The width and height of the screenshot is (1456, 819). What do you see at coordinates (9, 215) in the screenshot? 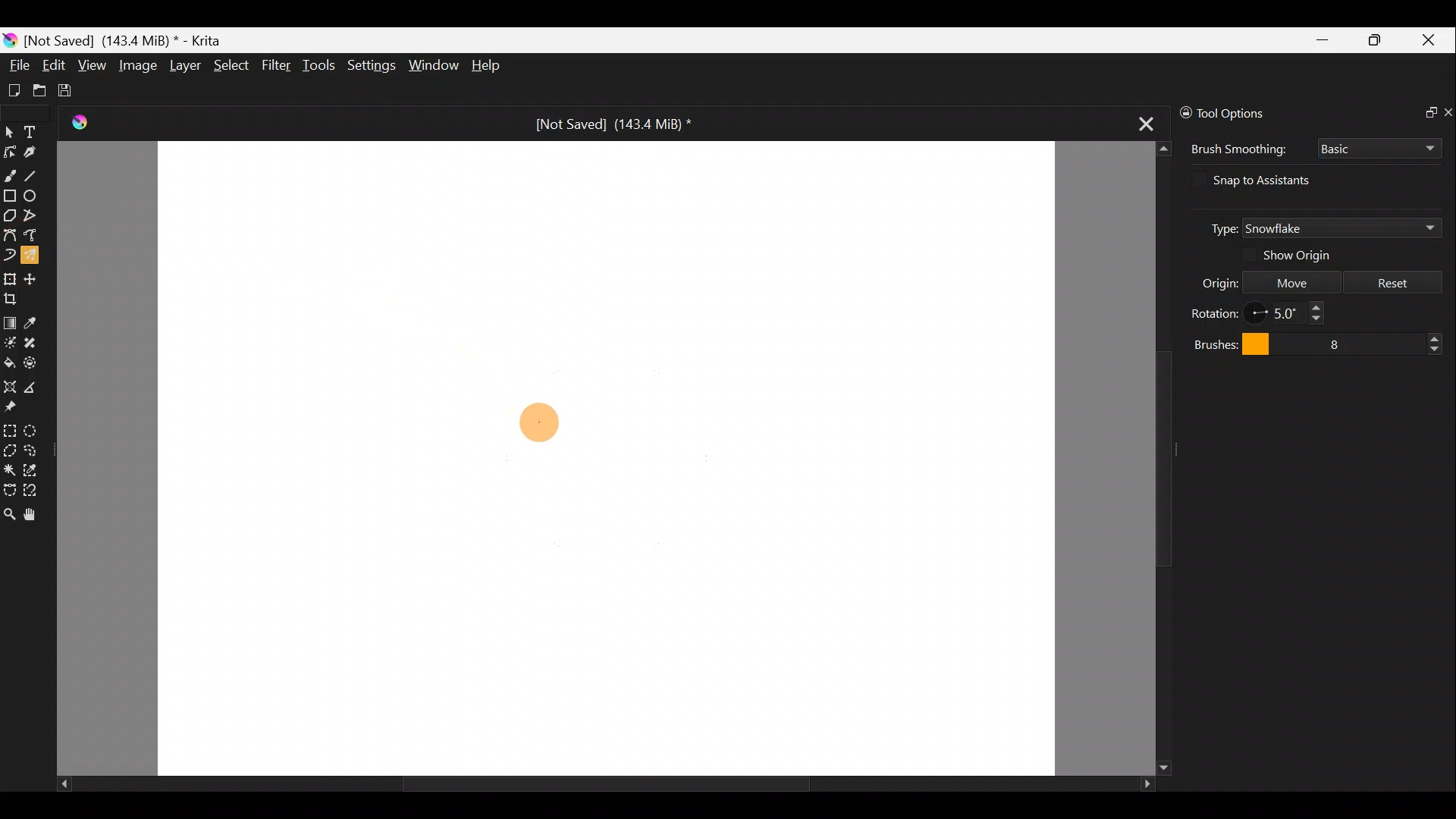
I see `Polygon` at bounding box center [9, 215].